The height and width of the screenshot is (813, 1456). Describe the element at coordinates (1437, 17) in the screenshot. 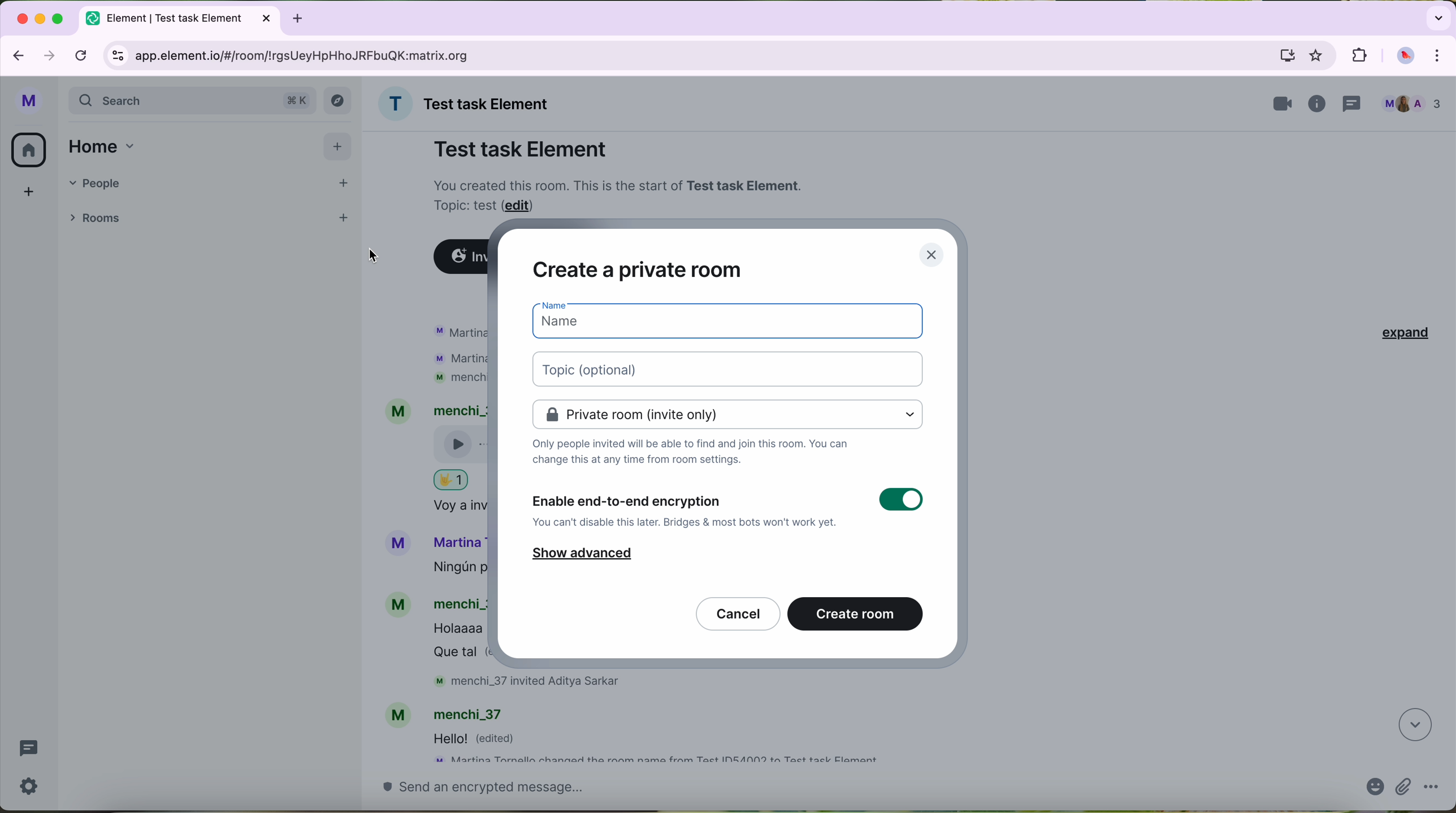

I see `search tabs` at that location.